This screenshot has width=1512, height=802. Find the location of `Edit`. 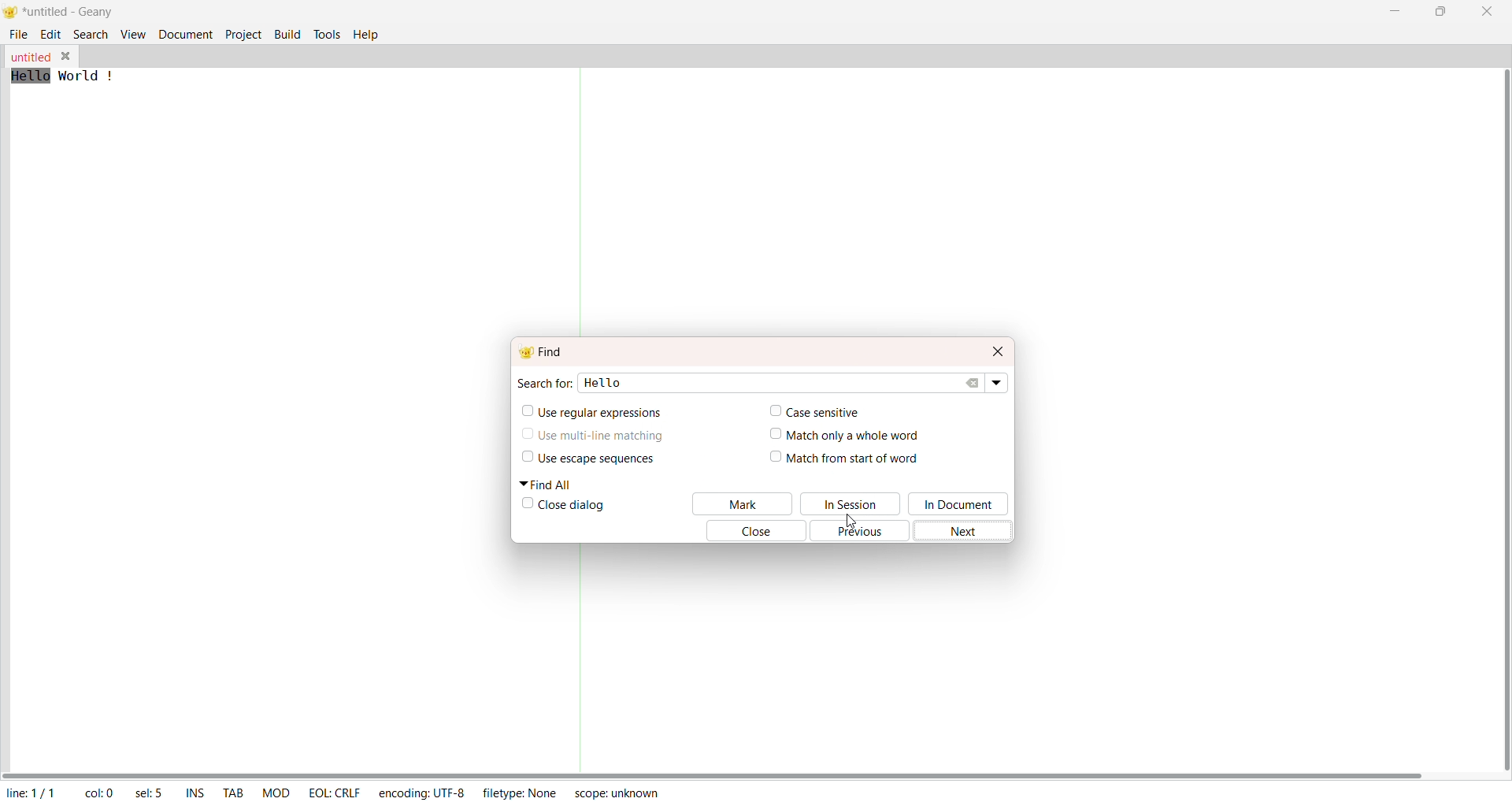

Edit is located at coordinates (51, 35).